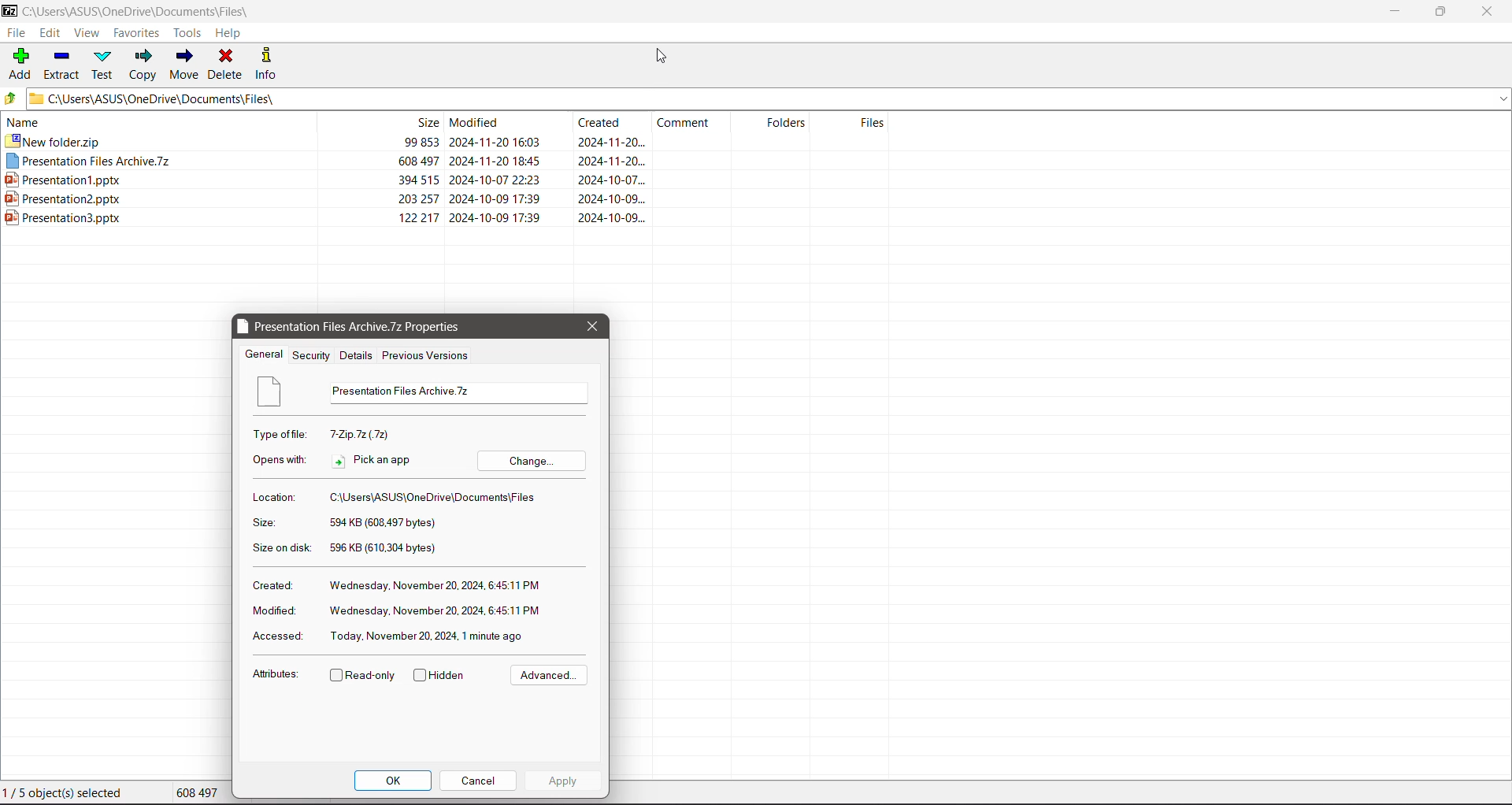 This screenshot has height=805, width=1512. I want to click on Cancel, so click(480, 781).